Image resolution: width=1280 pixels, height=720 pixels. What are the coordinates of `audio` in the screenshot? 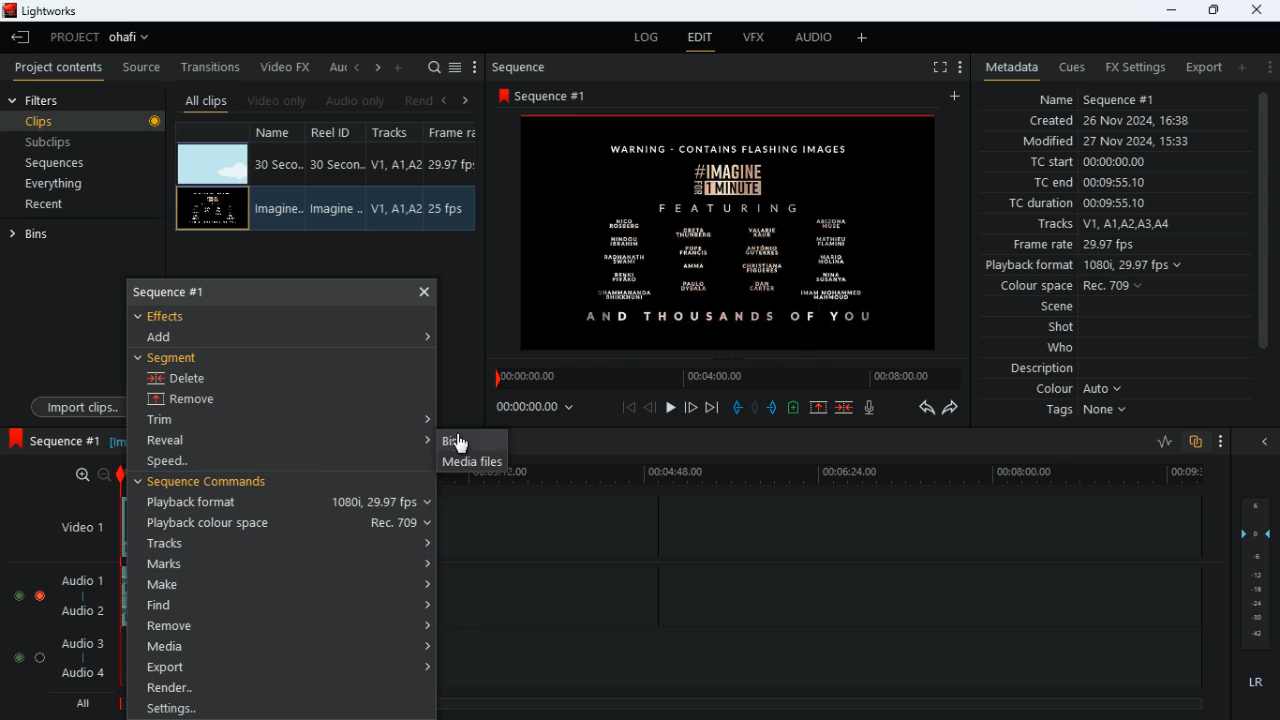 It's located at (814, 40).